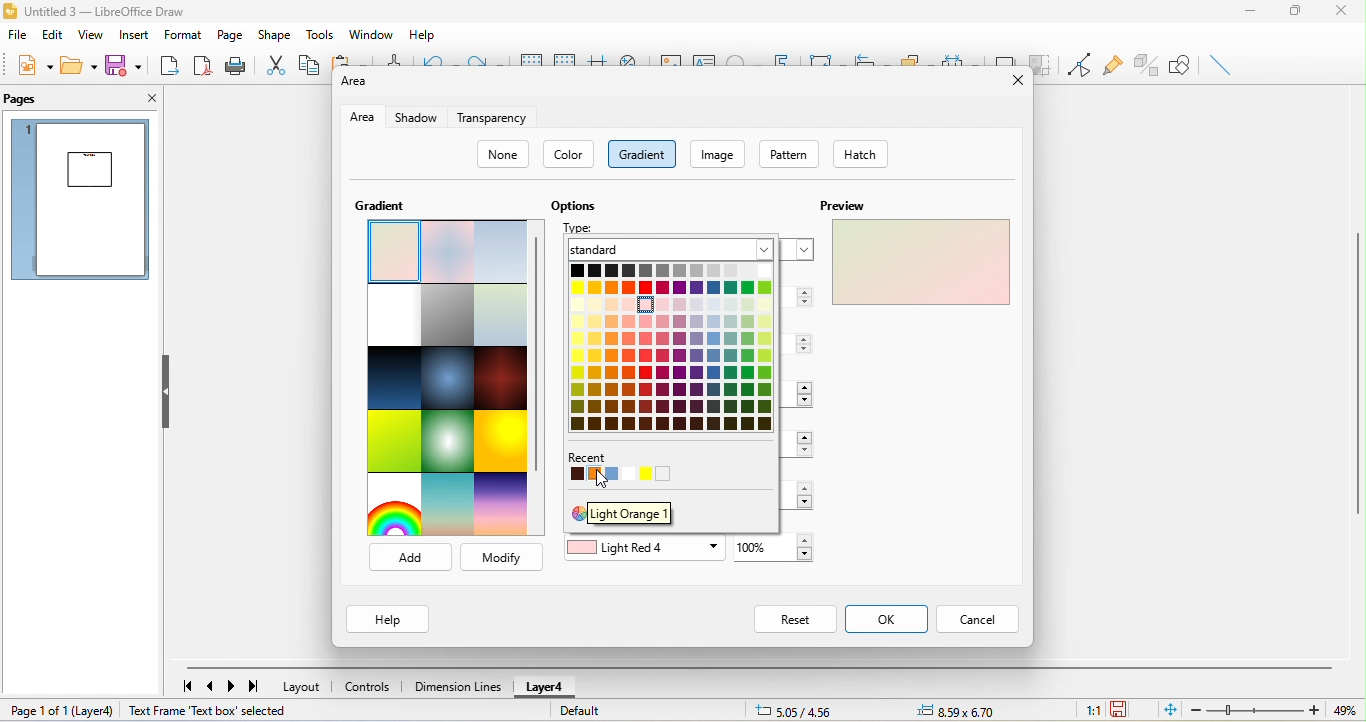 The height and width of the screenshot is (722, 1366). What do you see at coordinates (642, 548) in the screenshot?
I see `light red 4` at bounding box center [642, 548].